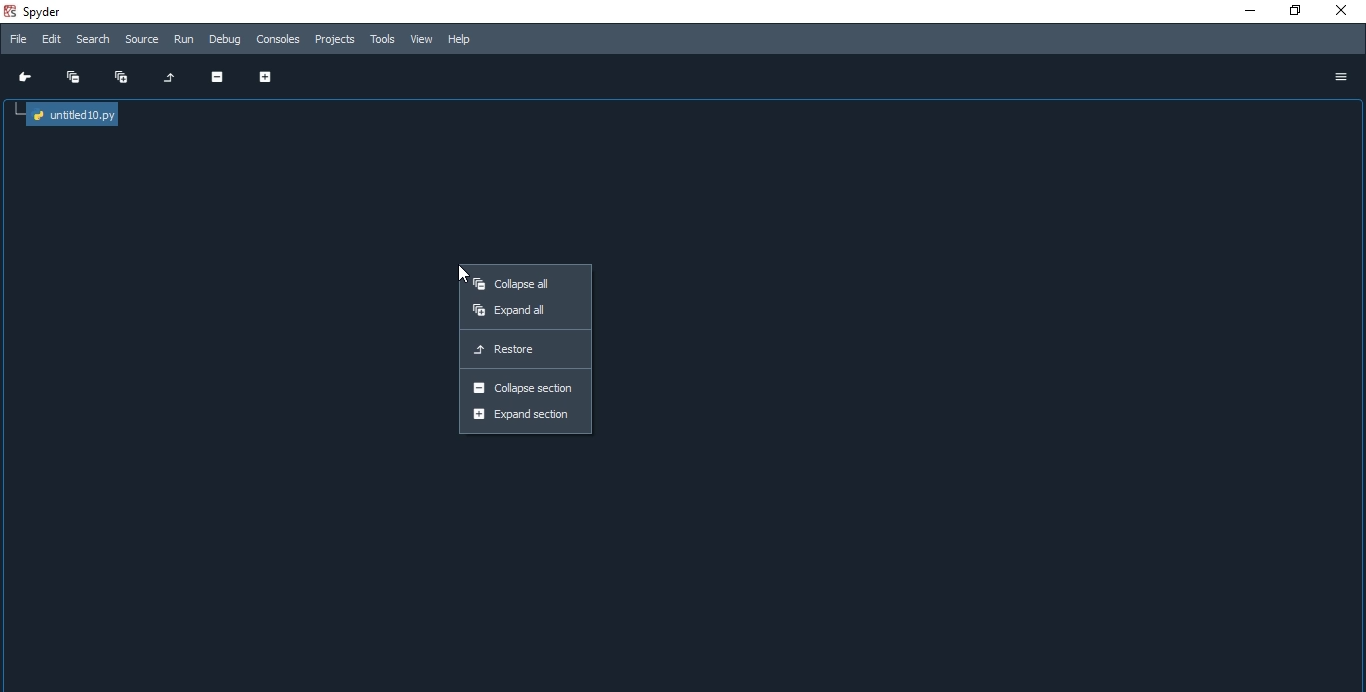 The image size is (1366, 692). Describe the element at coordinates (423, 38) in the screenshot. I see `View` at that location.